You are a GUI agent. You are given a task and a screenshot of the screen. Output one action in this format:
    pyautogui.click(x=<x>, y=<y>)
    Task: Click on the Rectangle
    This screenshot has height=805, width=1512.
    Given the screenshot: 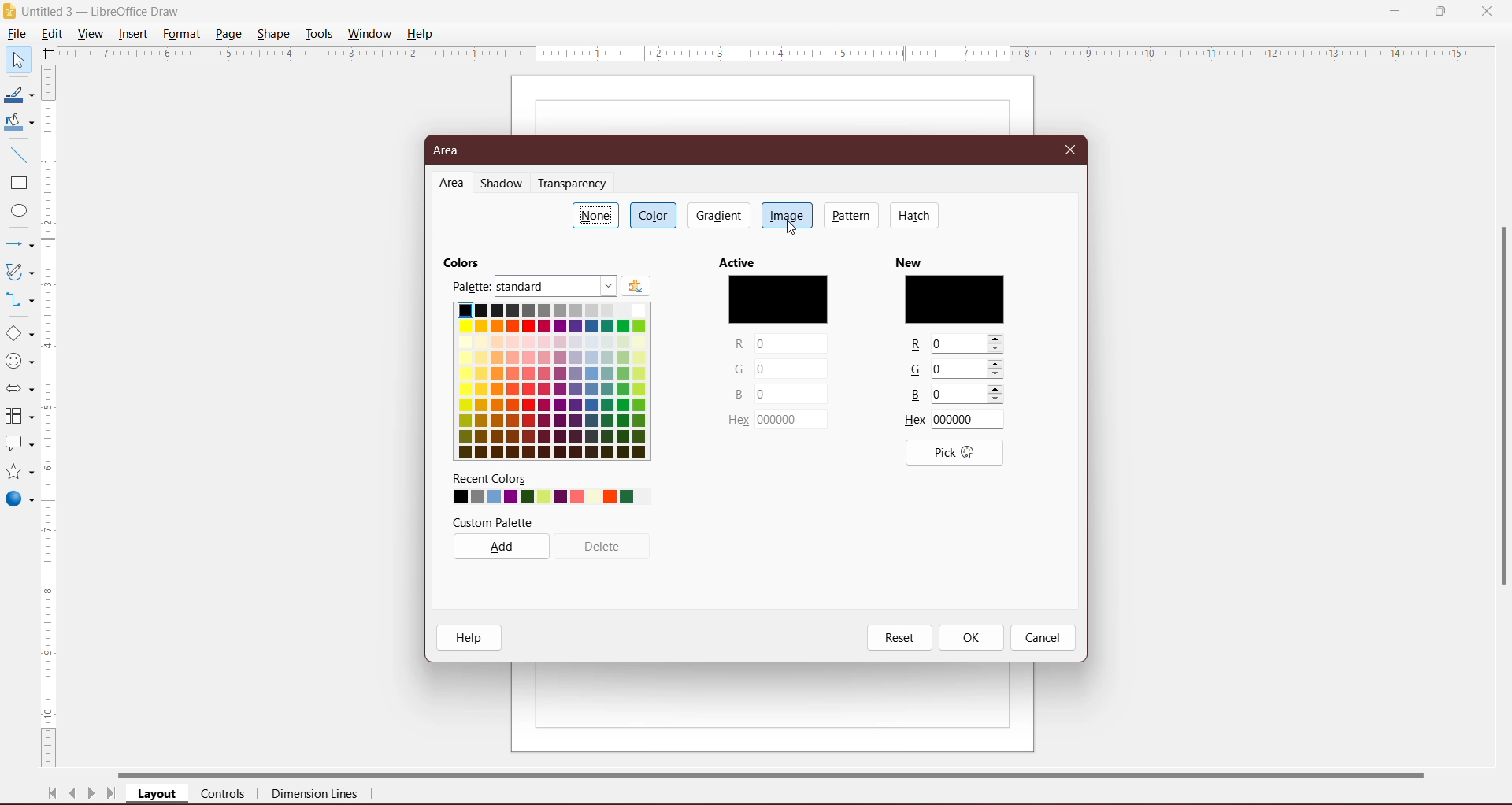 What is the action you would take?
    pyautogui.click(x=17, y=184)
    